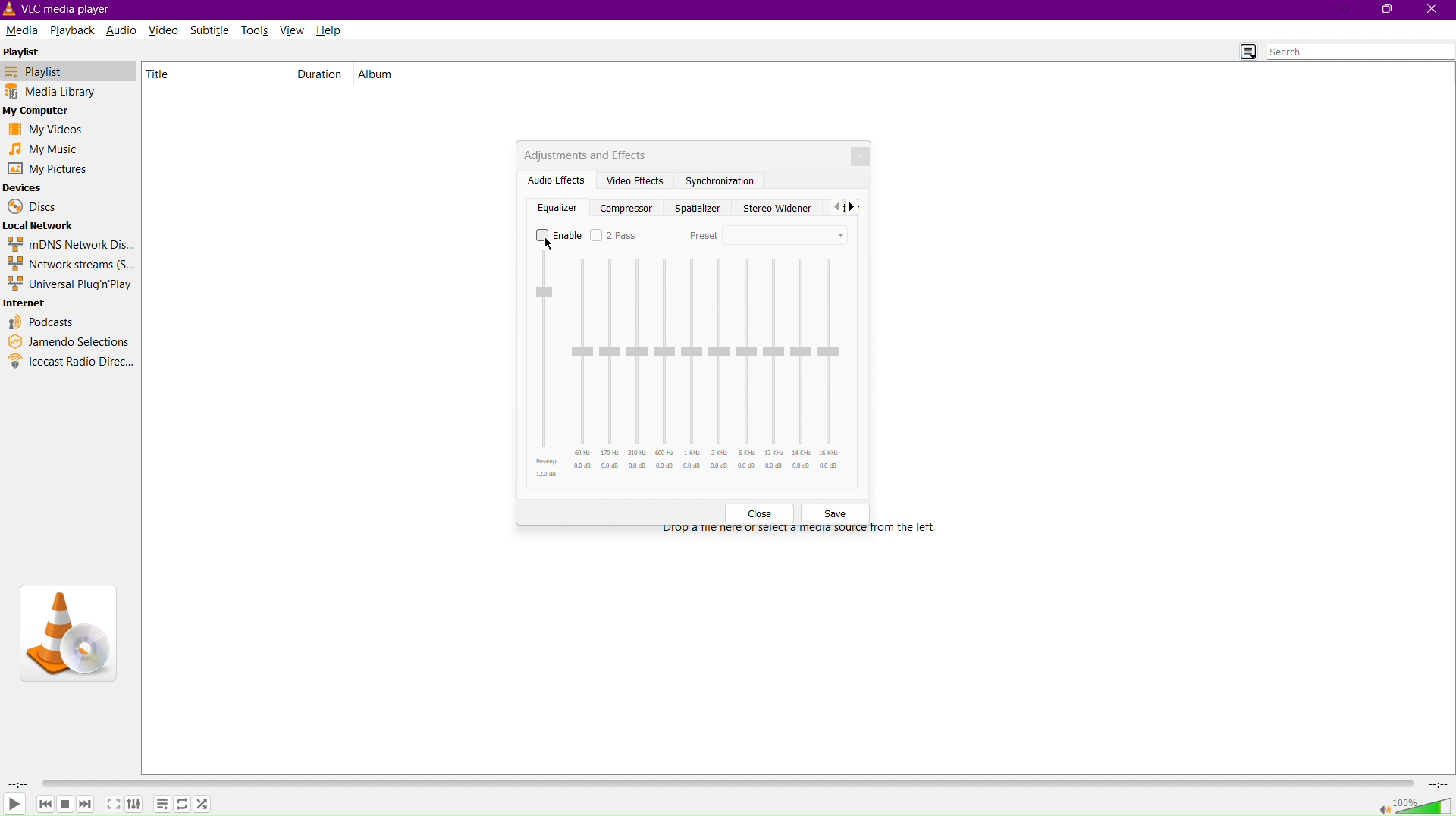  What do you see at coordinates (830, 363) in the screenshot?
I see `16 KHz` at bounding box center [830, 363].